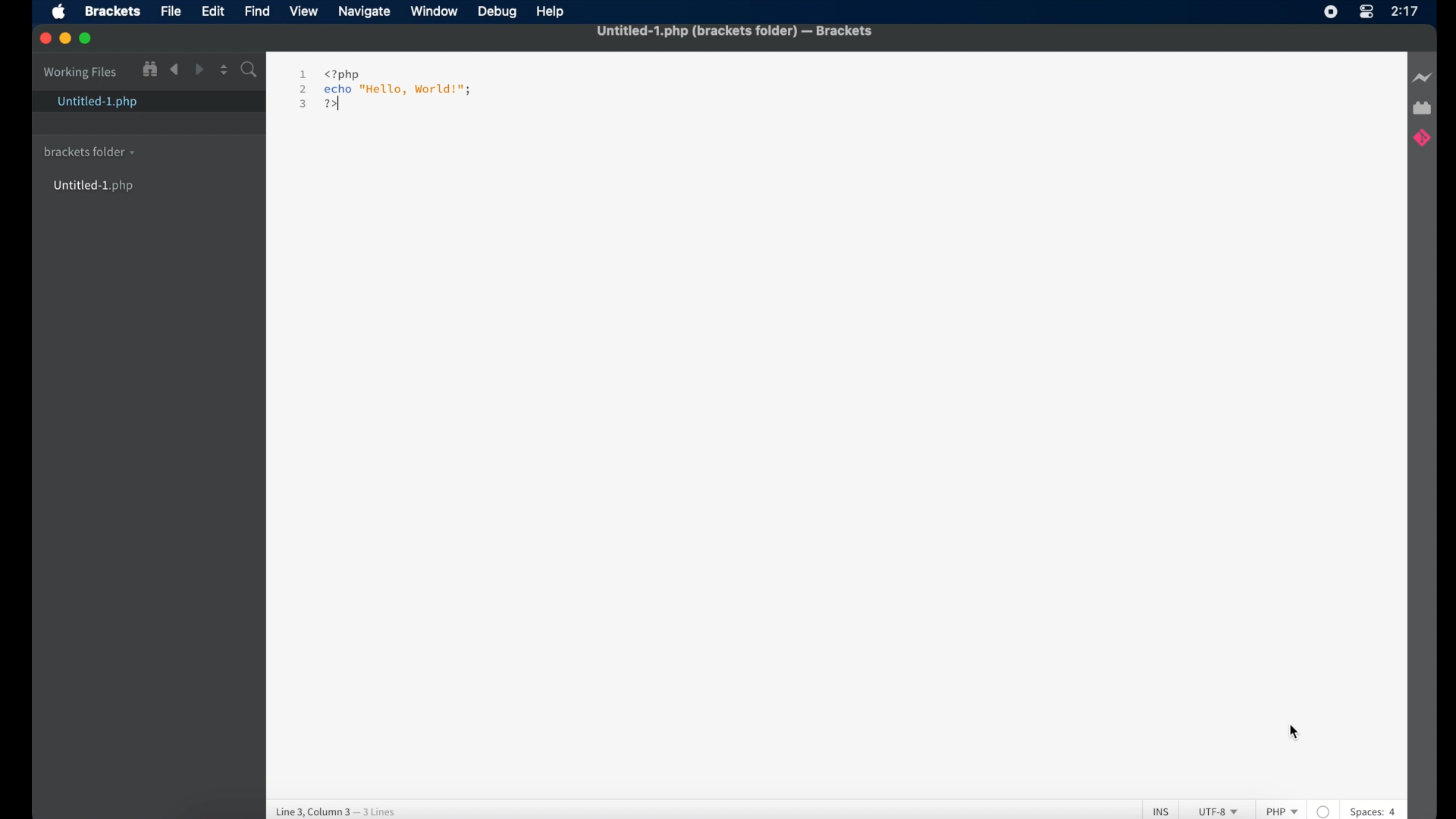 This screenshot has height=819, width=1456. What do you see at coordinates (1421, 140) in the screenshot?
I see `brackets git extension` at bounding box center [1421, 140].